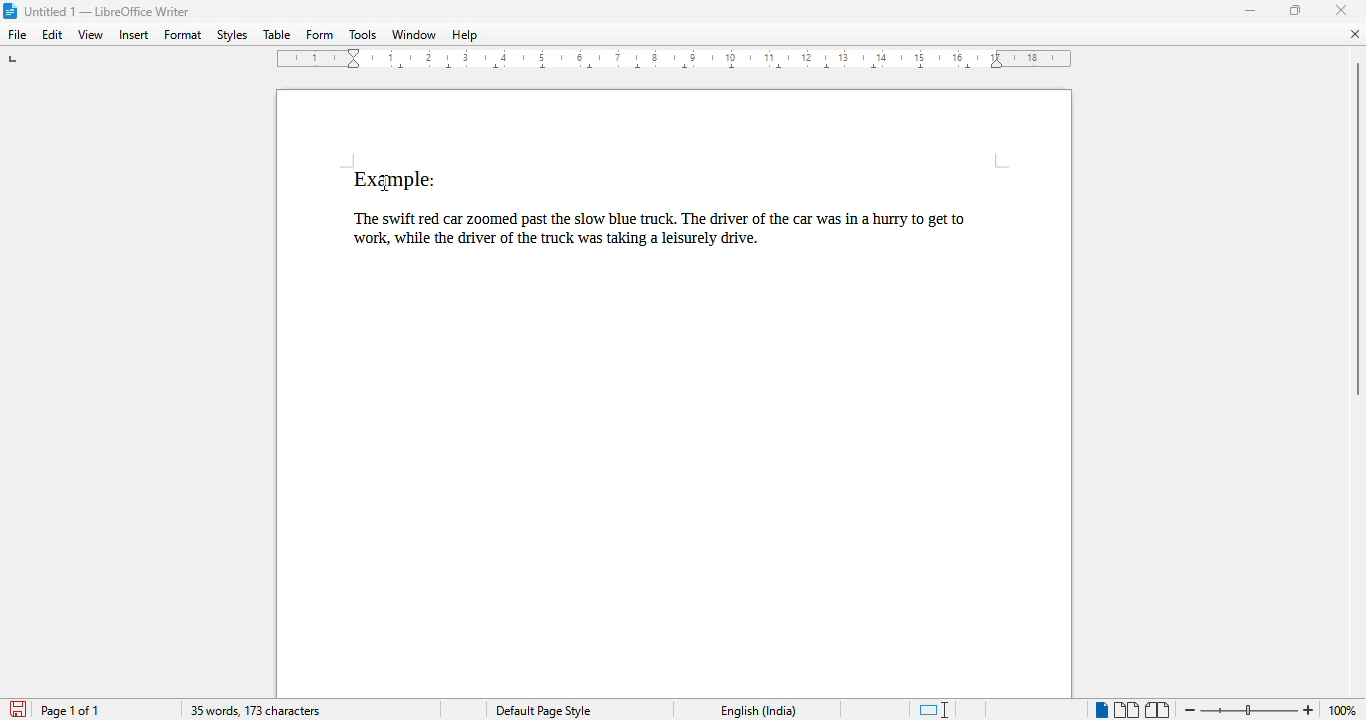  Describe the element at coordinates (385, 184) in the screenshot. I see `cursor` at that location.